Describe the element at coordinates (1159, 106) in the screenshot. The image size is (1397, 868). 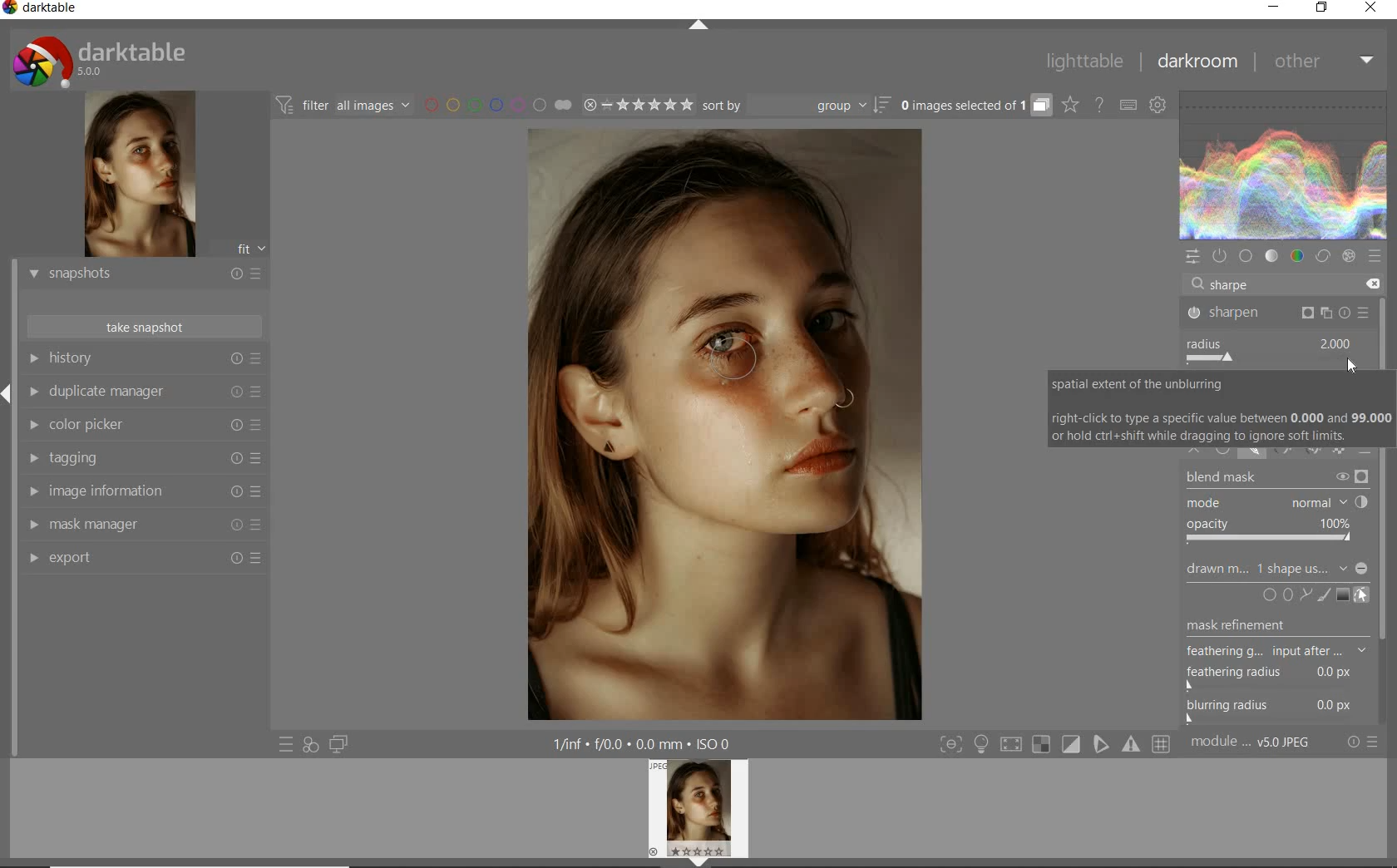
I see `show global preferences` at that location.